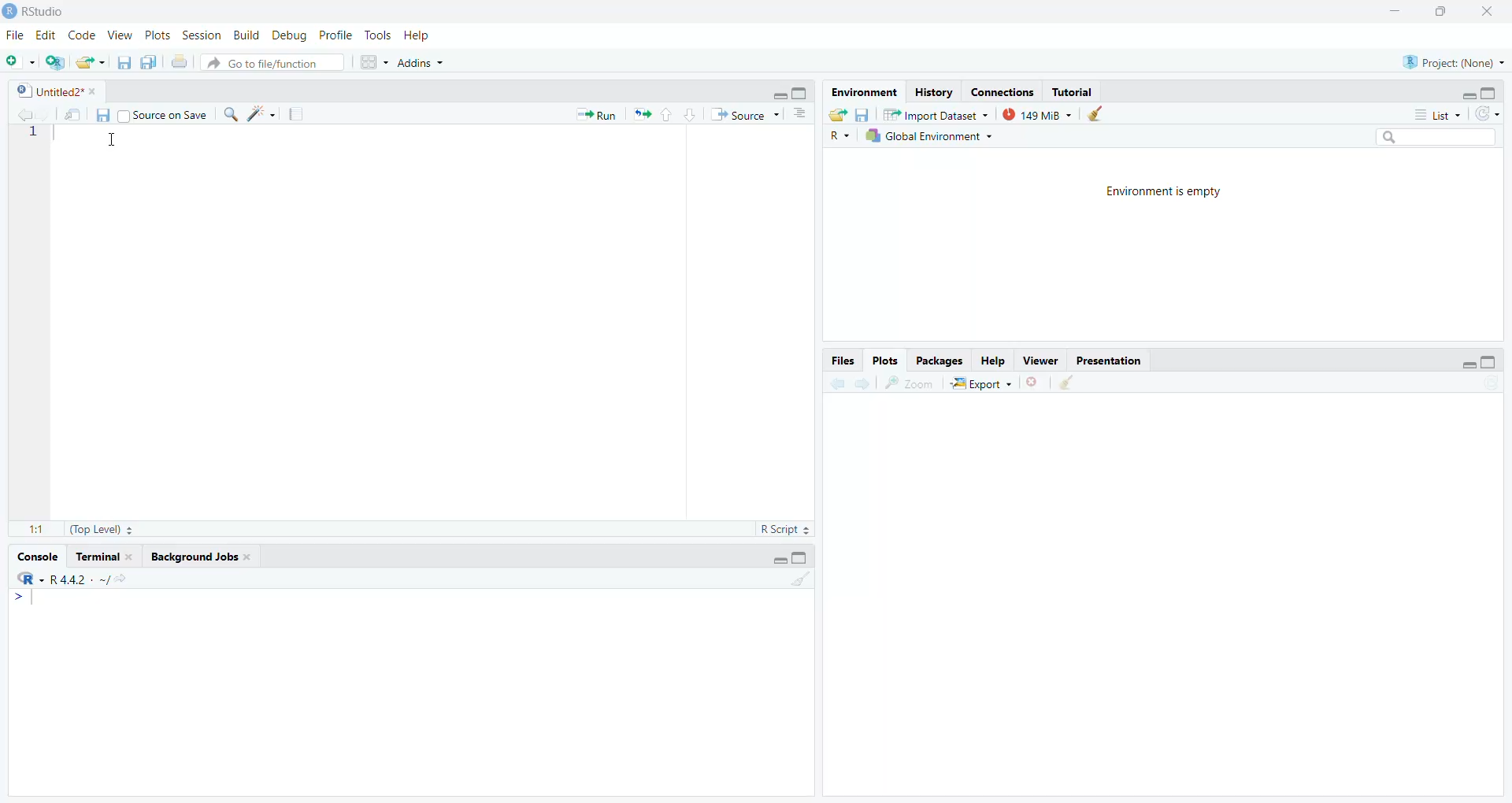  I want to click on R Script, so click(779, 530).